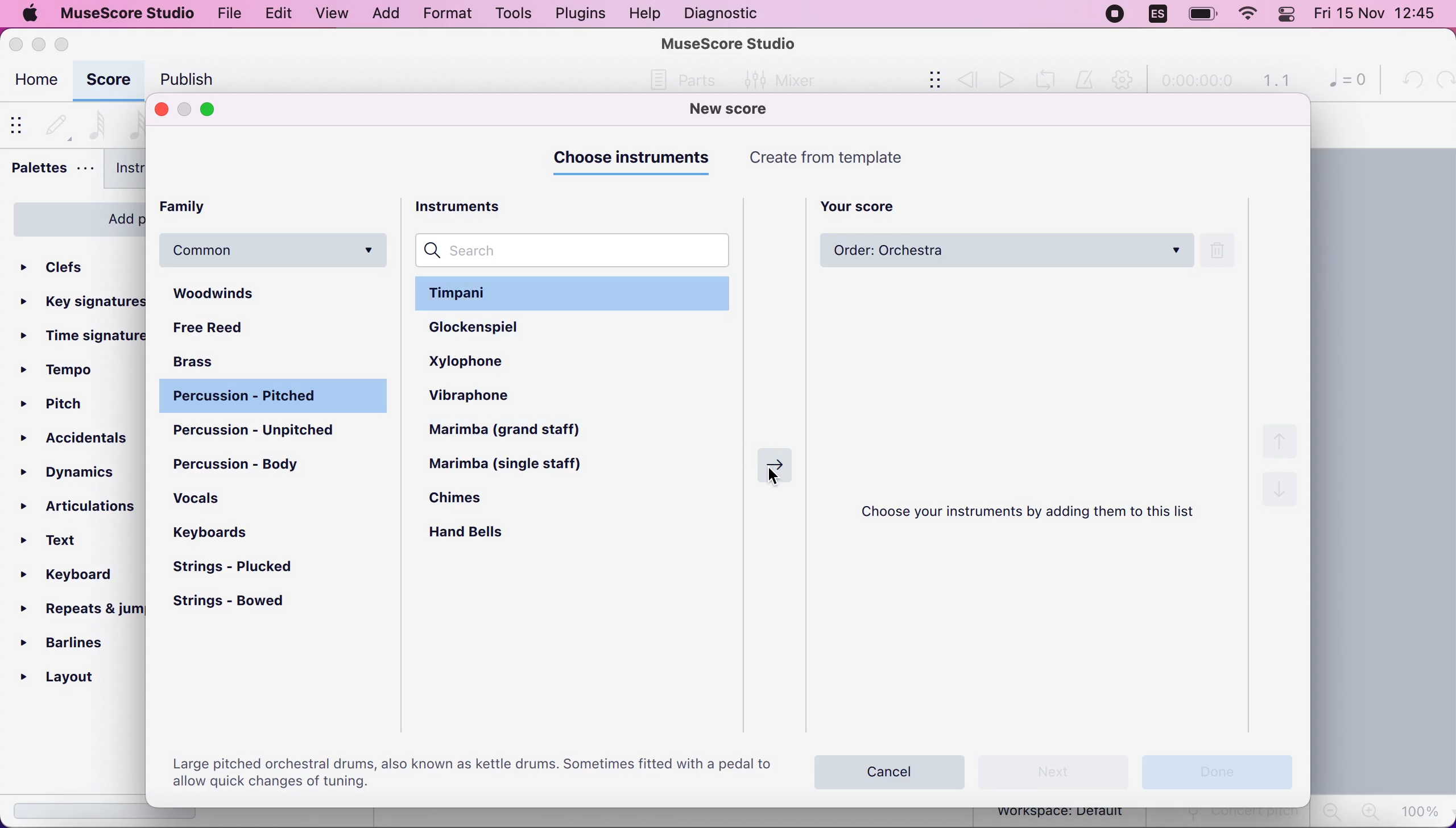 Image resolution: width=1456 pixels, height=828 pixels. Describe the element at coordinates (1230, 818) in the screenshot. I see `concert pitch` at that location.